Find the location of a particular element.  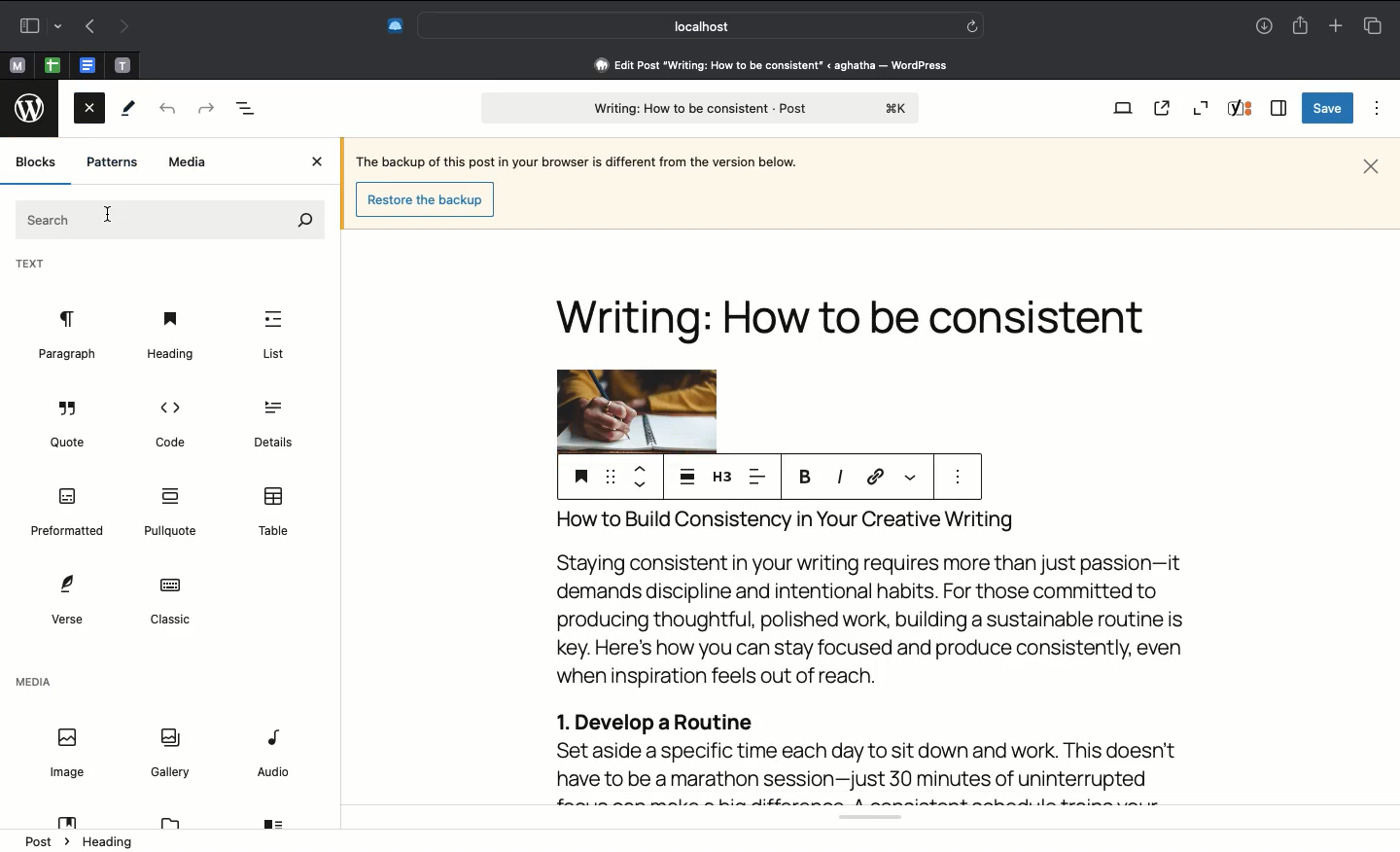

Justify is located at coordinates (687, 475).